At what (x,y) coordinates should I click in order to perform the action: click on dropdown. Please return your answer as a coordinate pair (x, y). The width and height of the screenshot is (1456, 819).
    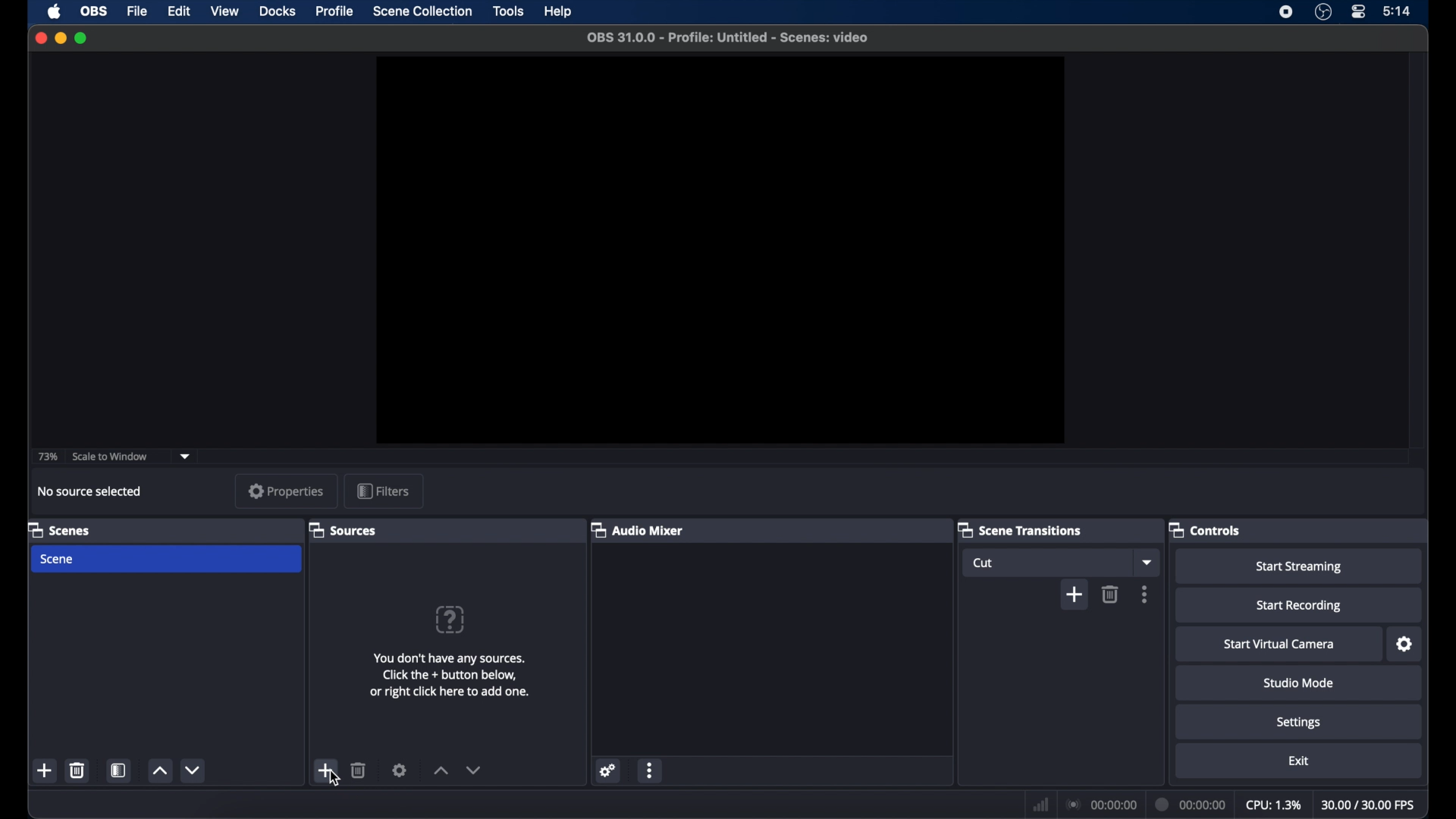
    Looking at the image, I should click on (1147, 563).